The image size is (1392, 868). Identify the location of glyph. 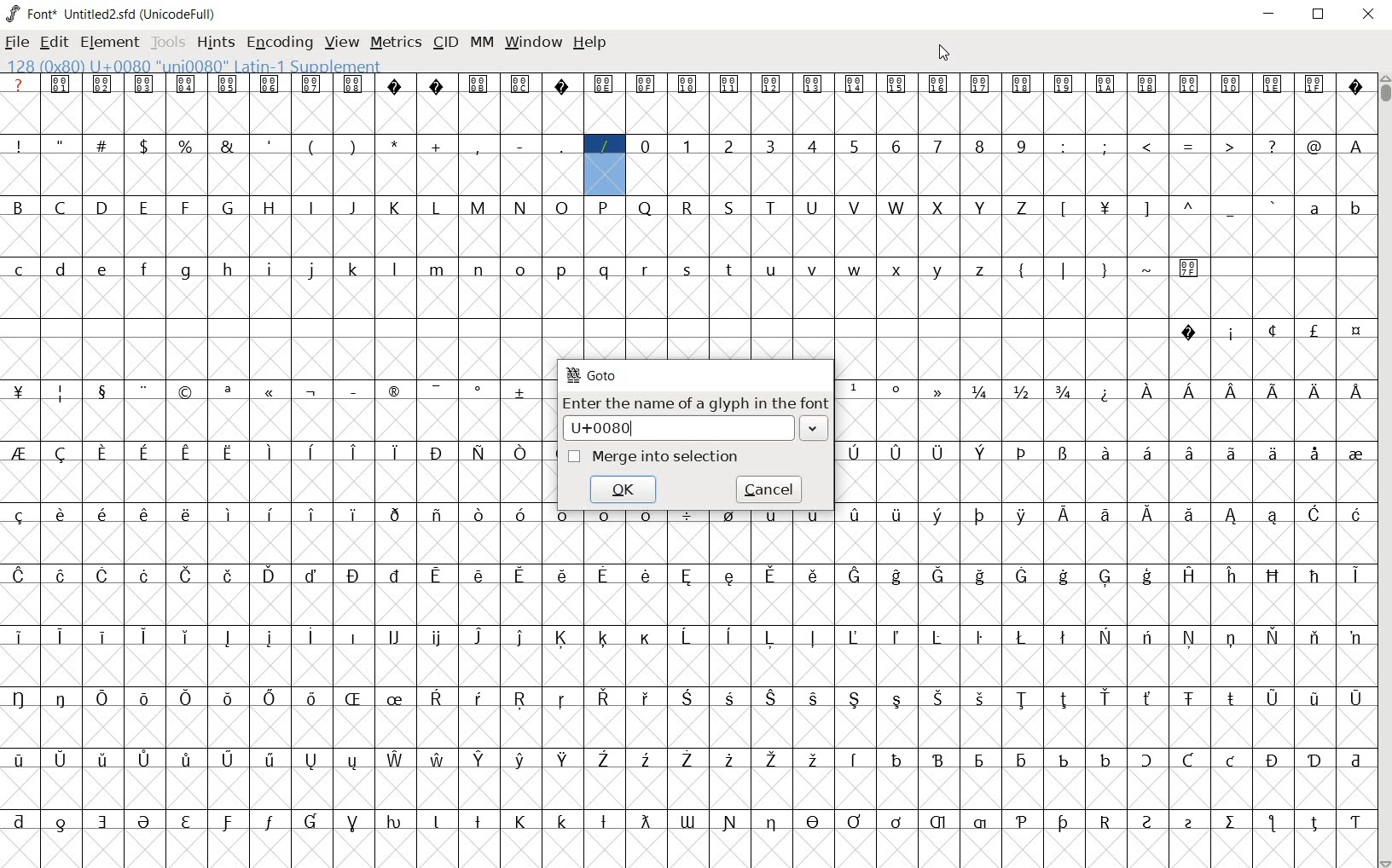
(730, 823).